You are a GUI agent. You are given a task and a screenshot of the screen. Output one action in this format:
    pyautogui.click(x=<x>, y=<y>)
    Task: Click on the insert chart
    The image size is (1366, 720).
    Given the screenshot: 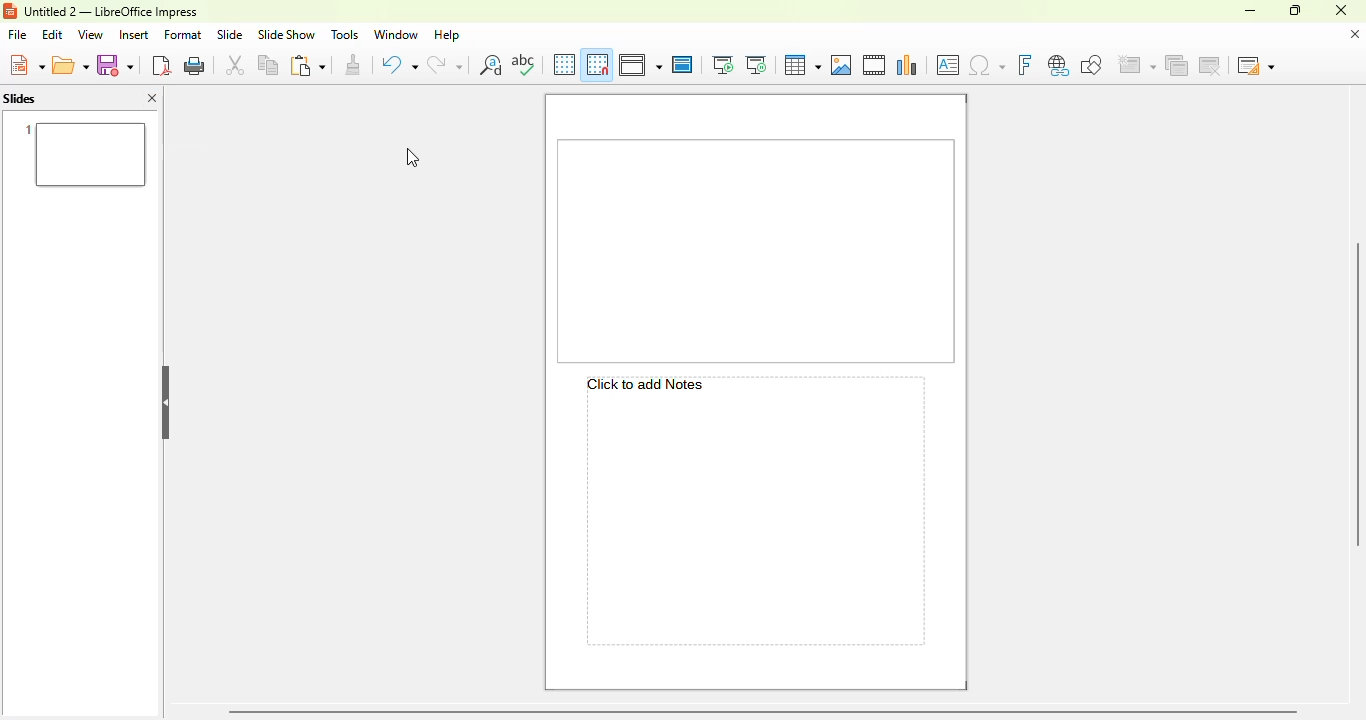 What is the action you would take?
    pyautogui.click(x=908, y=65)
    